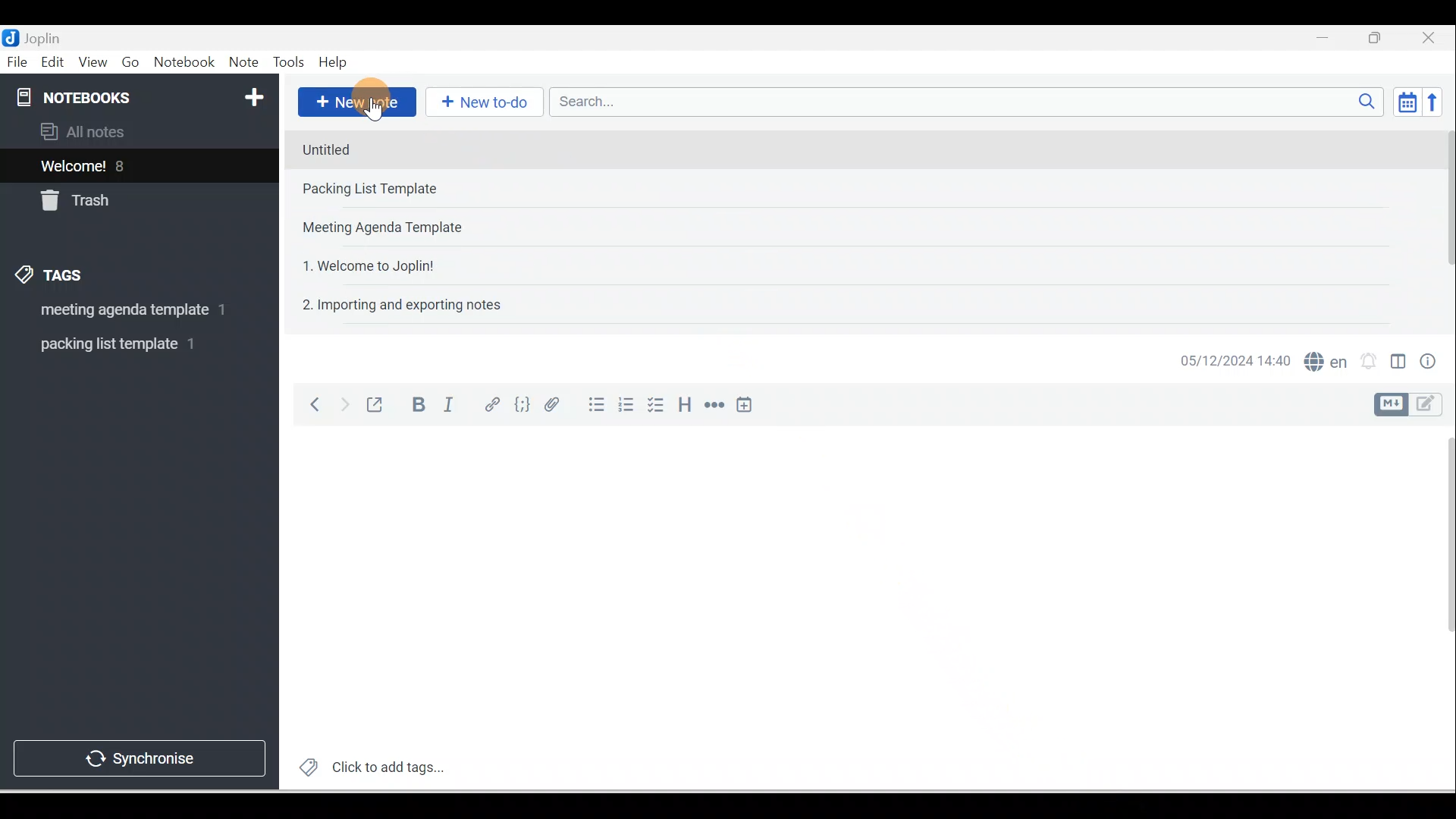 Image resolution: width=1456 pixels, height=819 pixels. I want to click on Go, so click(133, 63).